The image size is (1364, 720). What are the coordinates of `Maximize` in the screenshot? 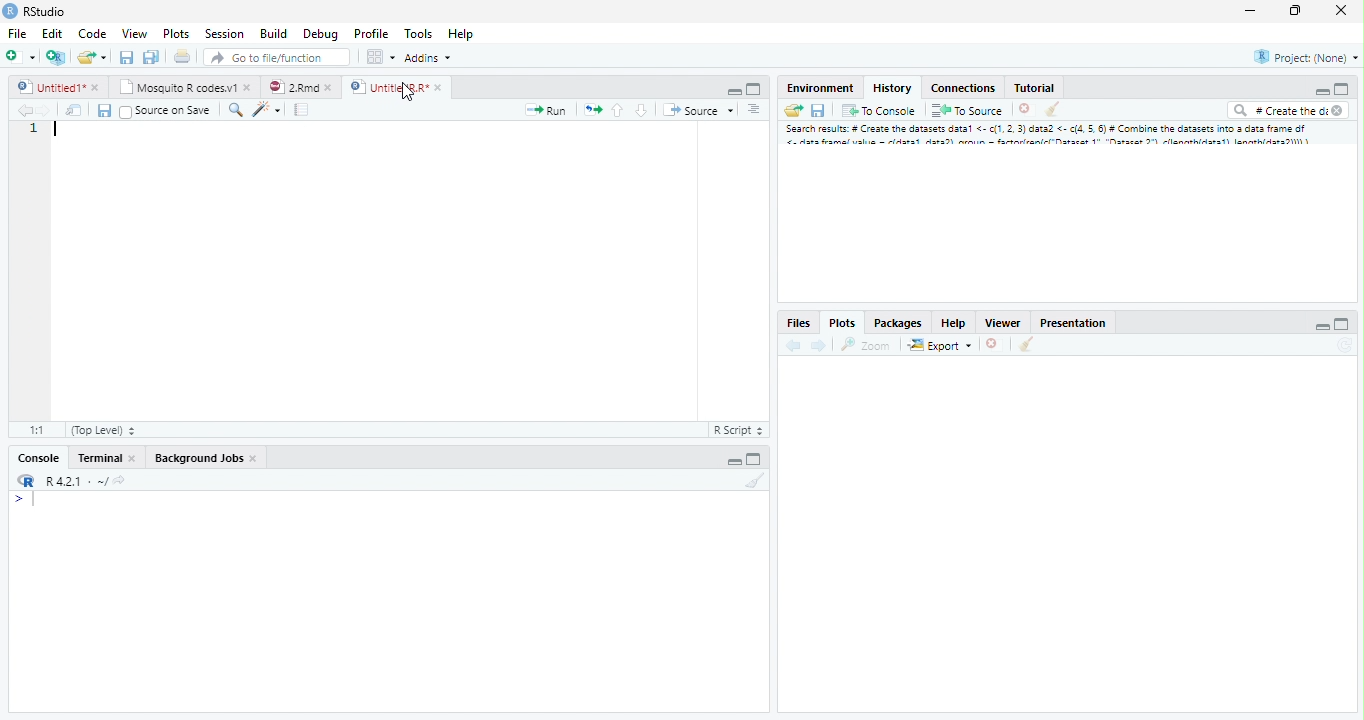 It's located at (754, 88).